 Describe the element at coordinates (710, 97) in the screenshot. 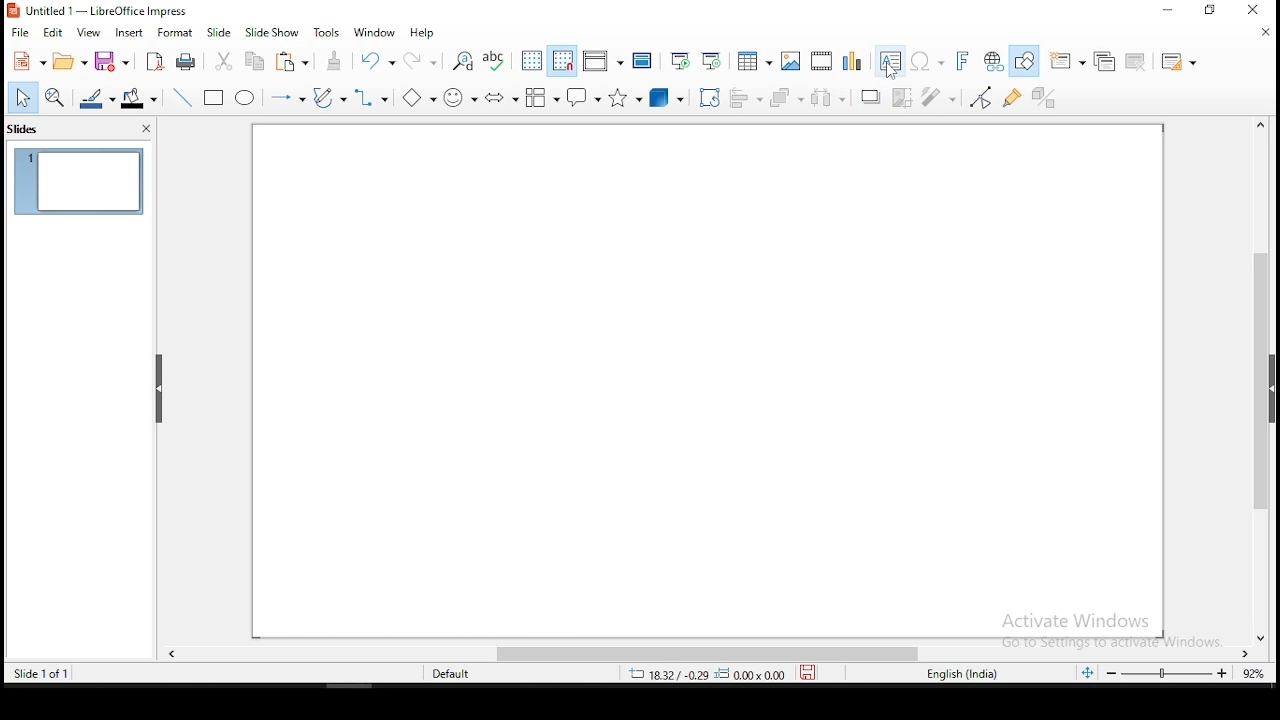

I see `rotate` at that location.